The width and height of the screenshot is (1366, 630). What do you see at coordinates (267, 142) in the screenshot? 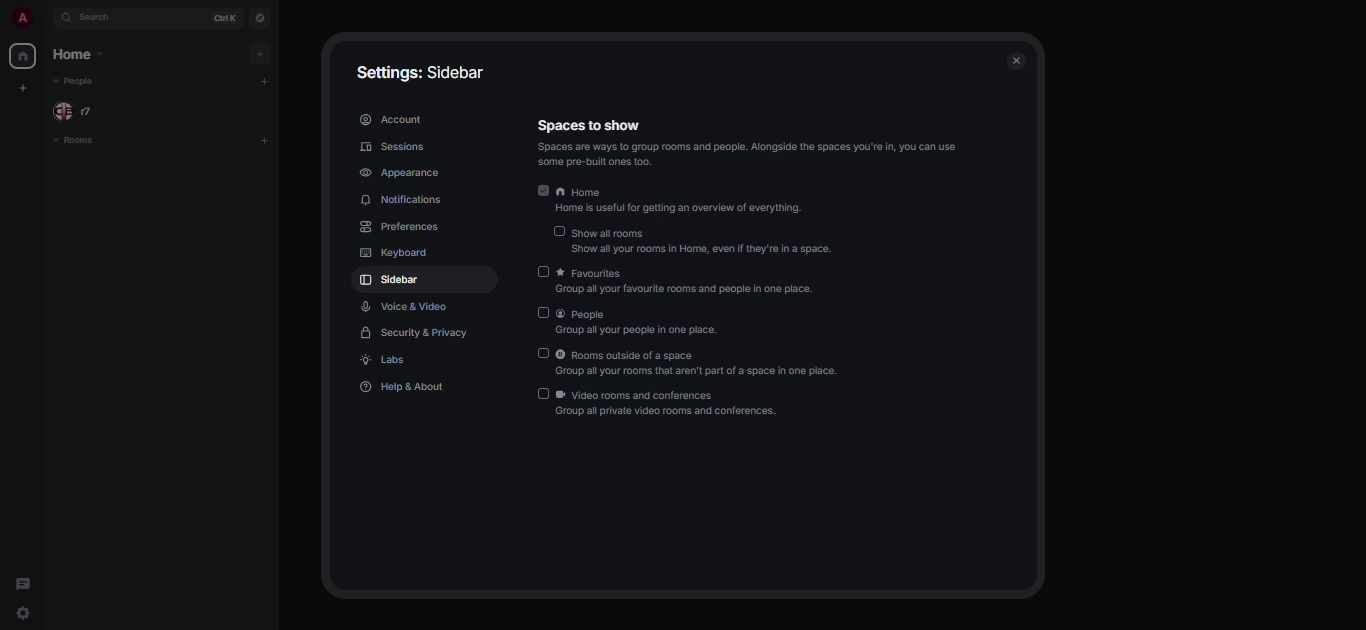
I see `add` at bounding box center [267, 142].